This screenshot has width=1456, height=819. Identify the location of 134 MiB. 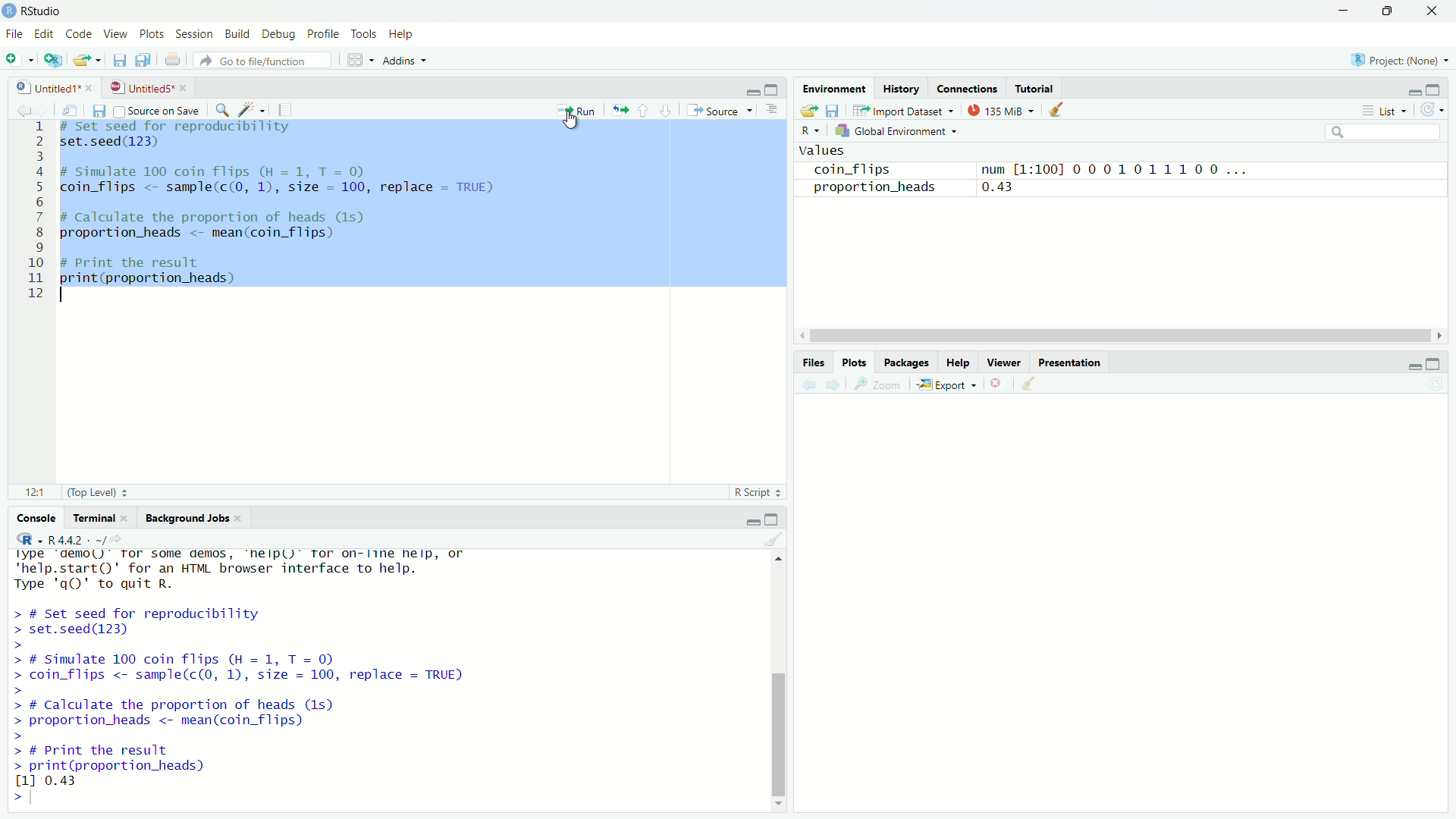
(1001, 109).